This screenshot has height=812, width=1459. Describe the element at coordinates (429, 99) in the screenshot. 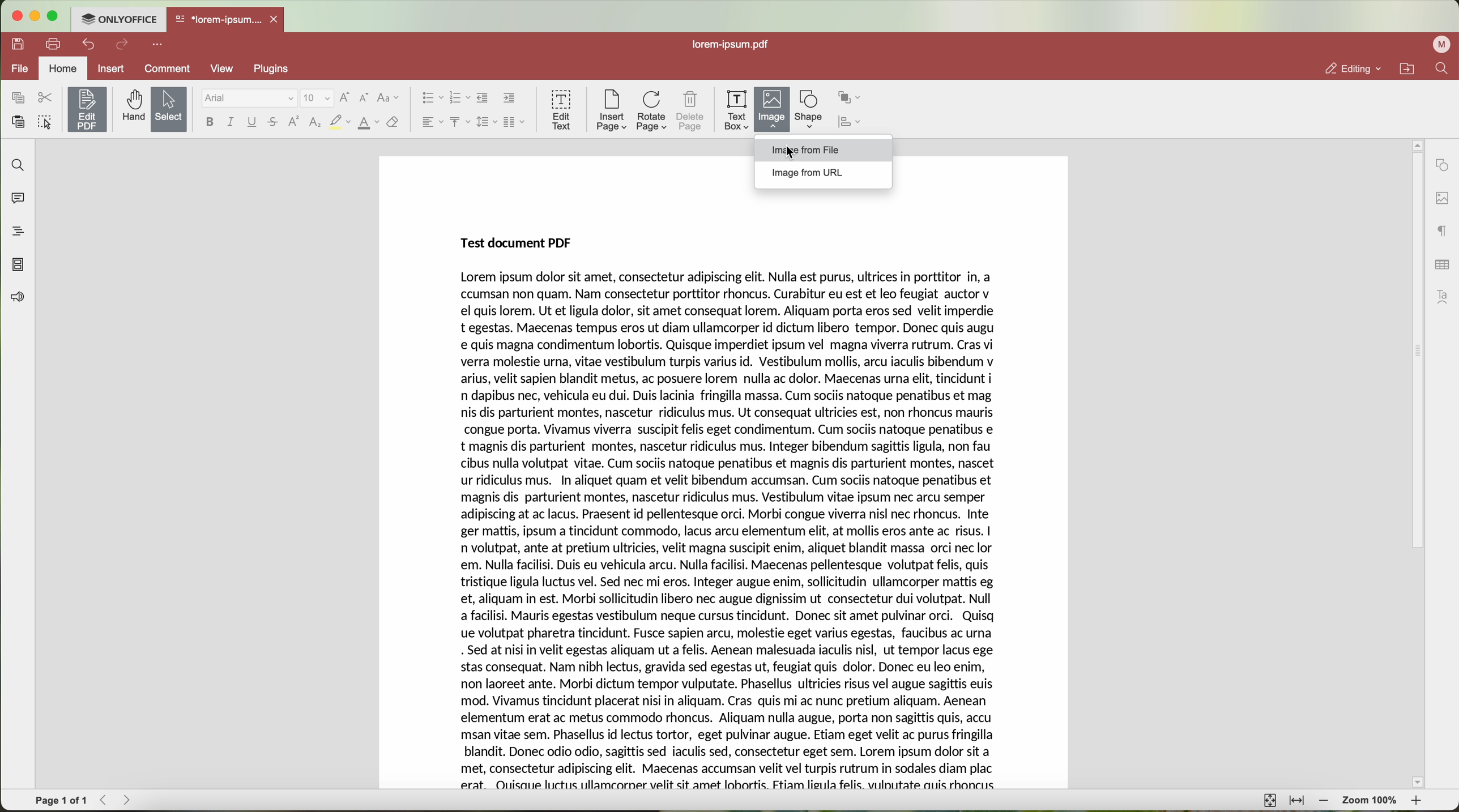

I see `bullet list` at that location.